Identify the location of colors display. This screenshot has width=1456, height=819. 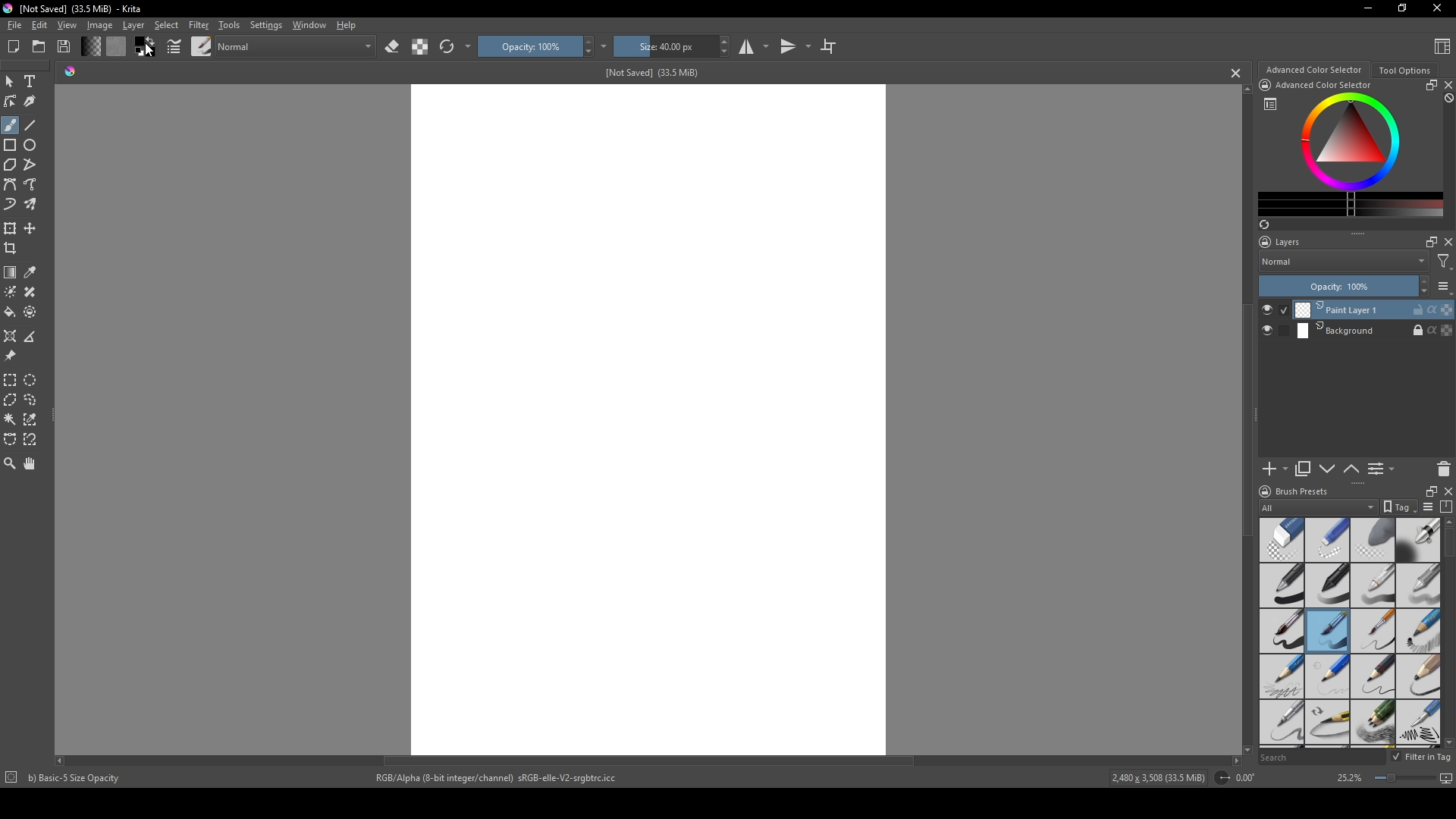
(1352, 142).